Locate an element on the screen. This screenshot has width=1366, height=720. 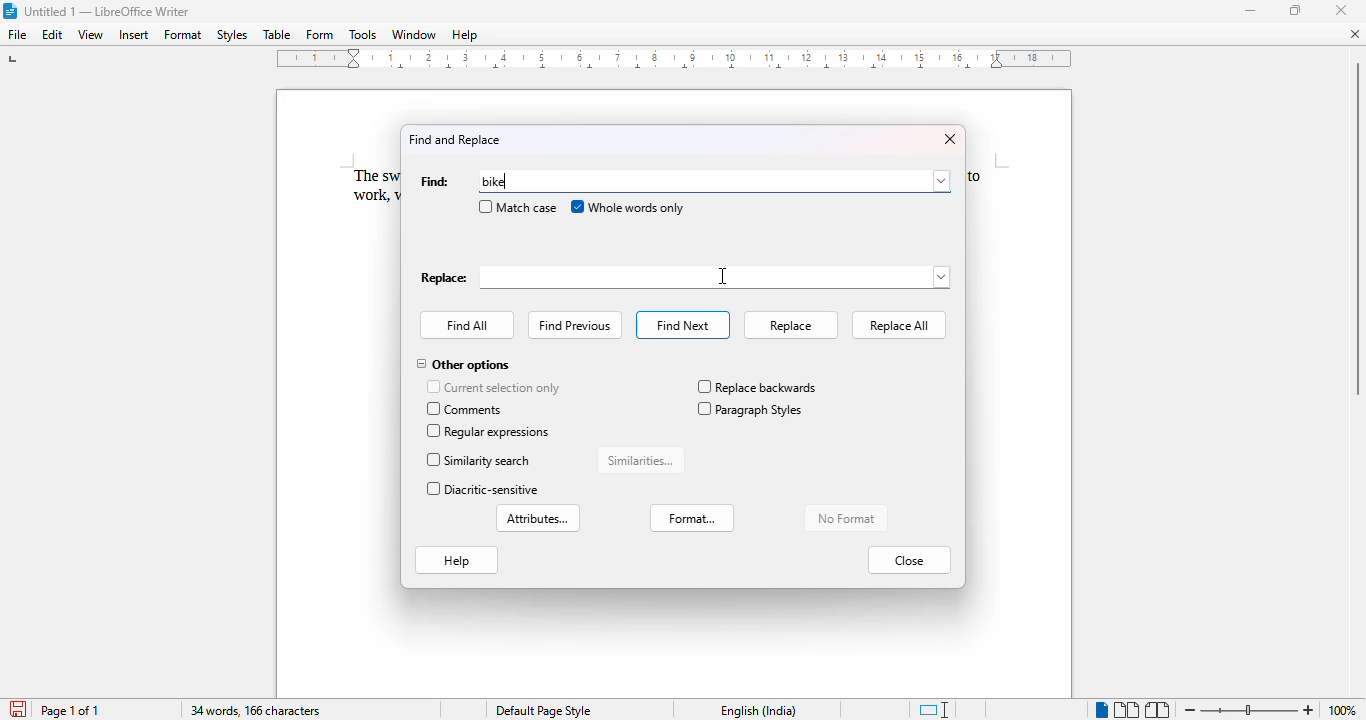
replace backwards is located at coordinates (756, 387).